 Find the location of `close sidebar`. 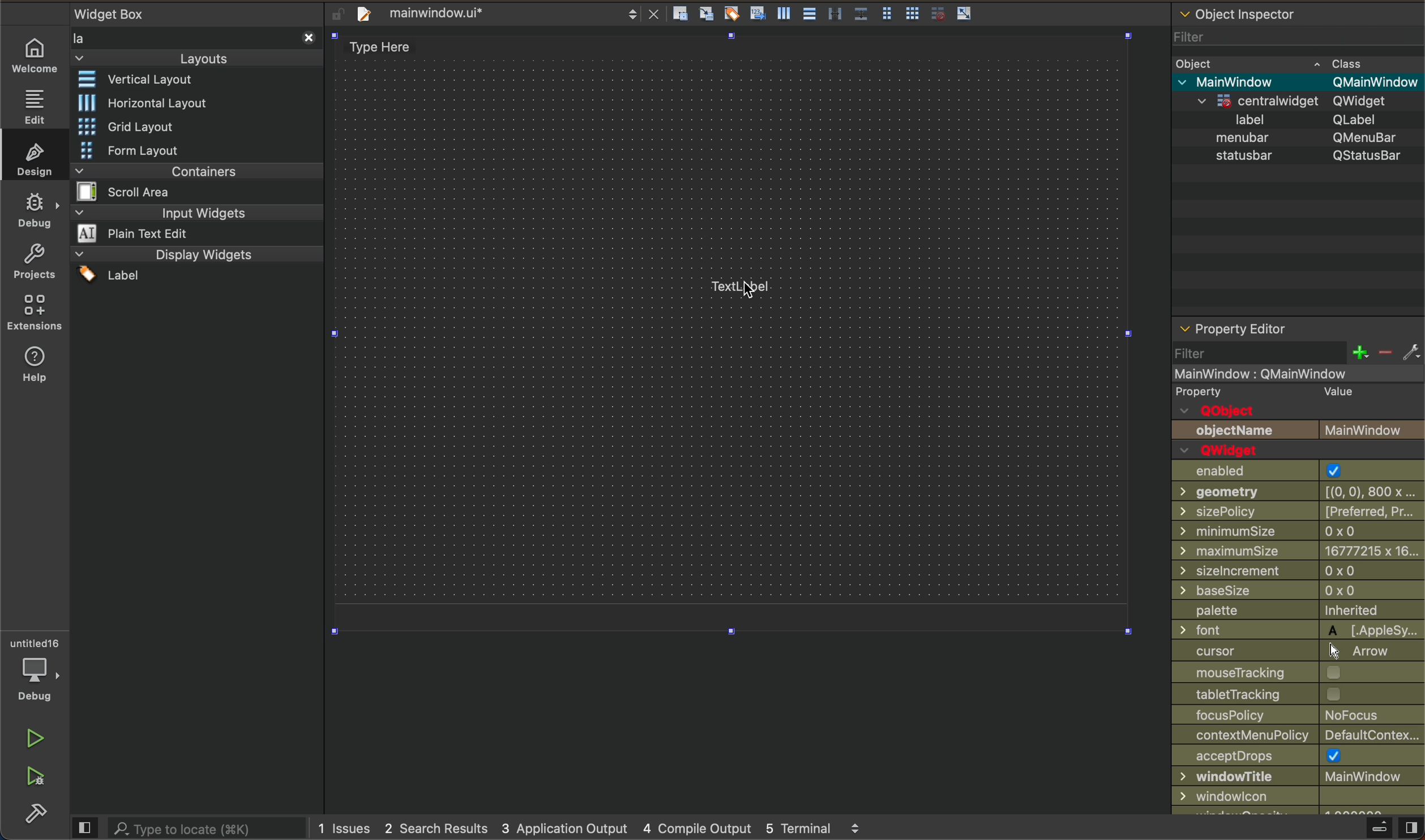

close sidebar is located at coordinates (1360, 825).